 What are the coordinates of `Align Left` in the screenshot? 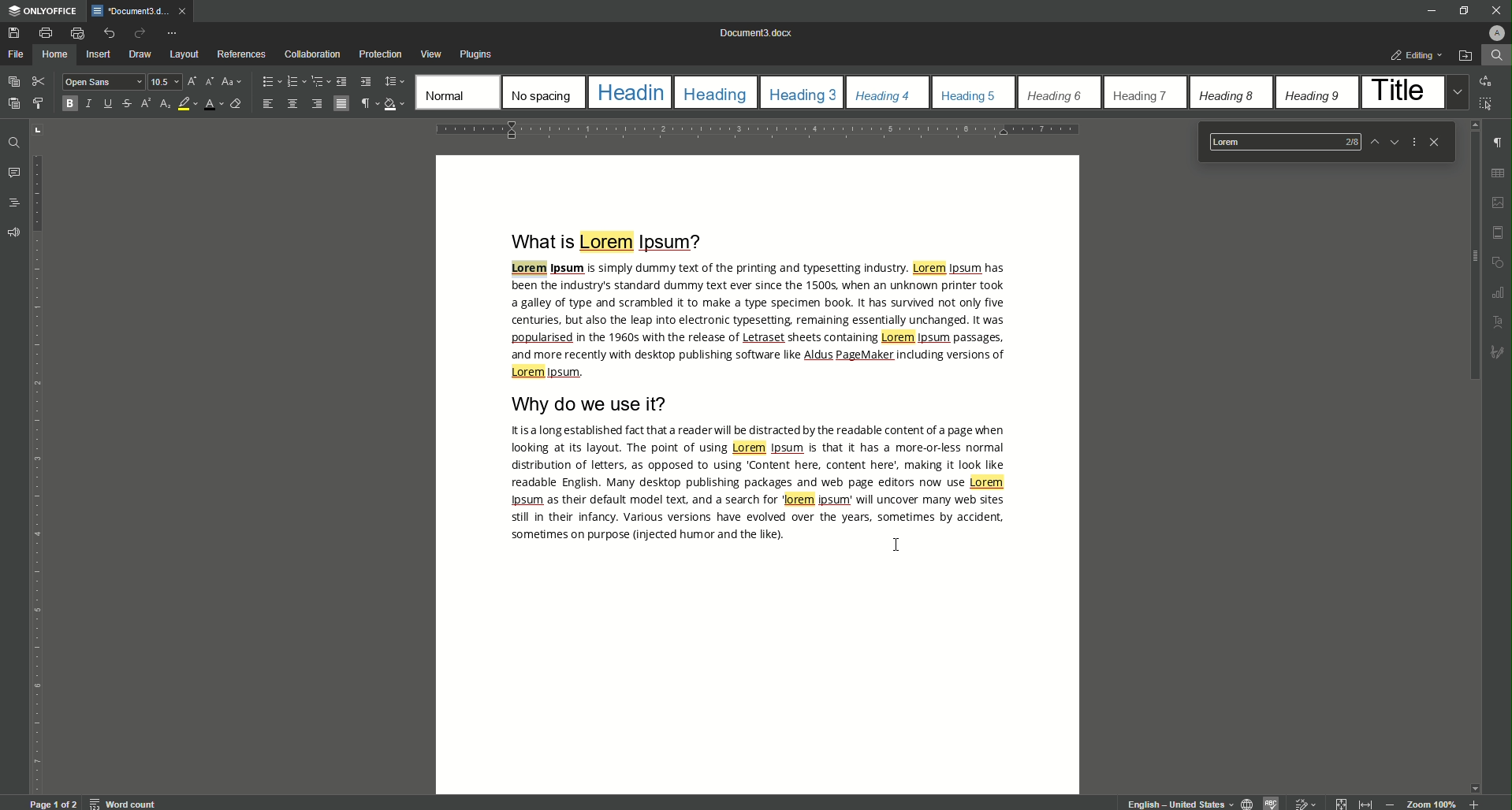 It's located at (268, 105).